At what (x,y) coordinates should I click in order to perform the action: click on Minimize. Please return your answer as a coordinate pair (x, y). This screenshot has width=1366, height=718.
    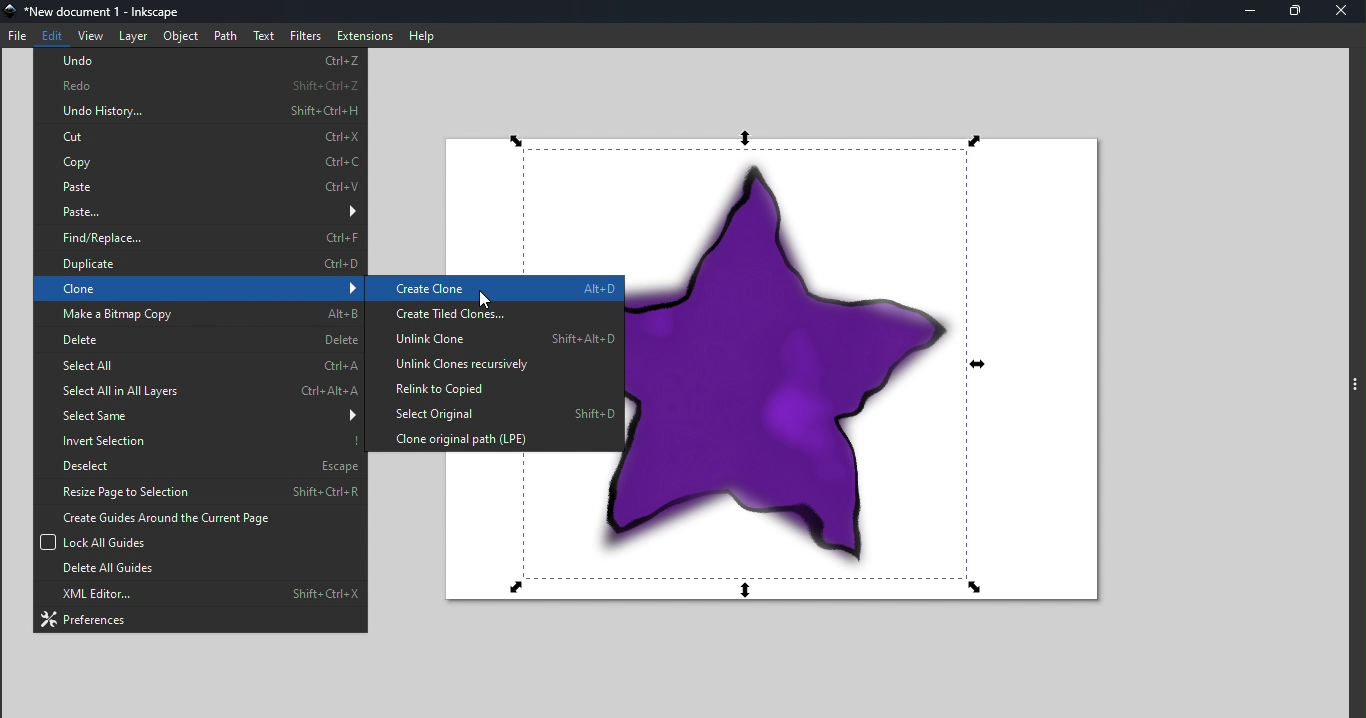
    Looking at the image, I should click on (1248, 11).